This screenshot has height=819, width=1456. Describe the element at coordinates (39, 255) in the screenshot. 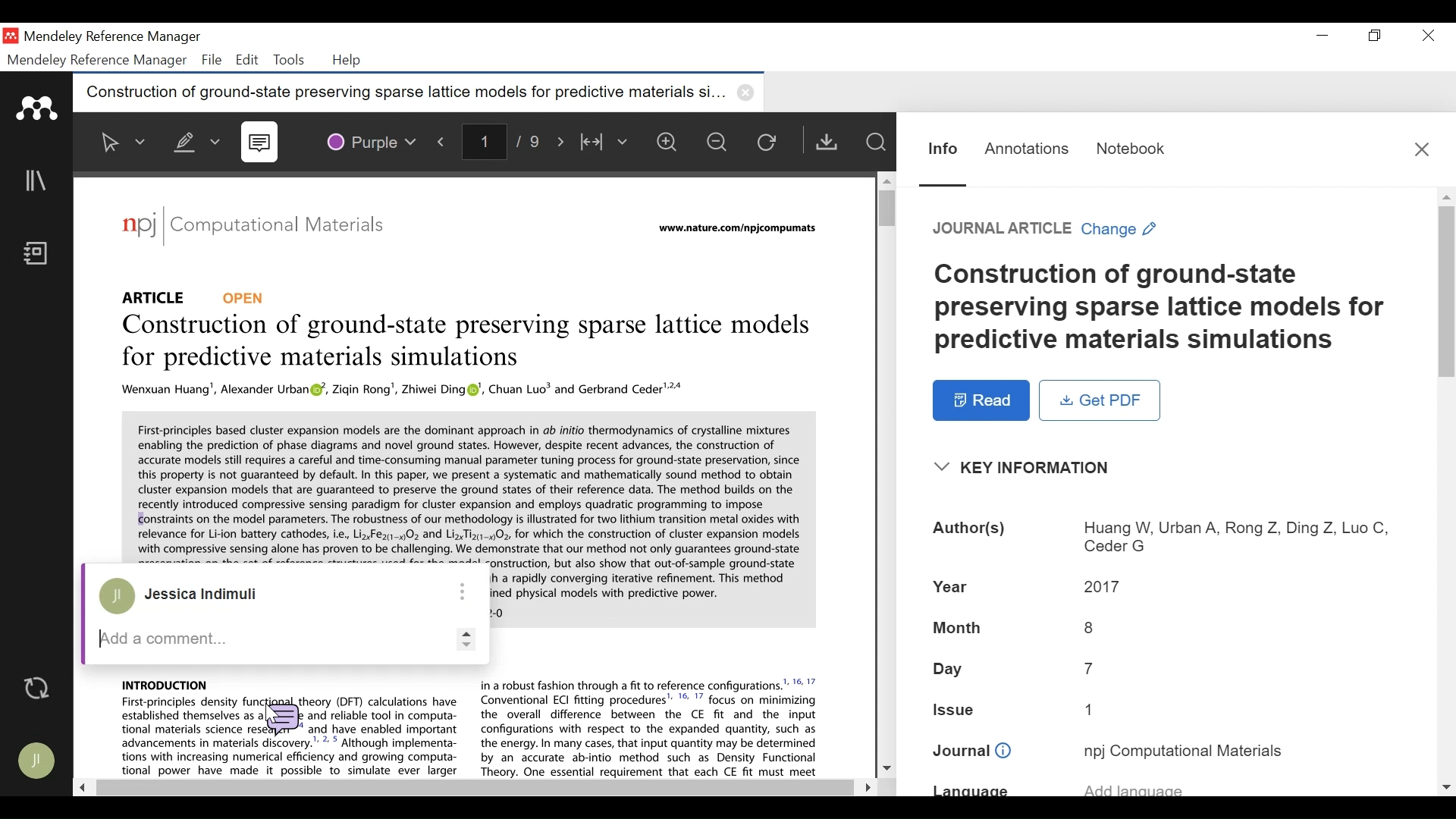

I see `Notebook` at that location.